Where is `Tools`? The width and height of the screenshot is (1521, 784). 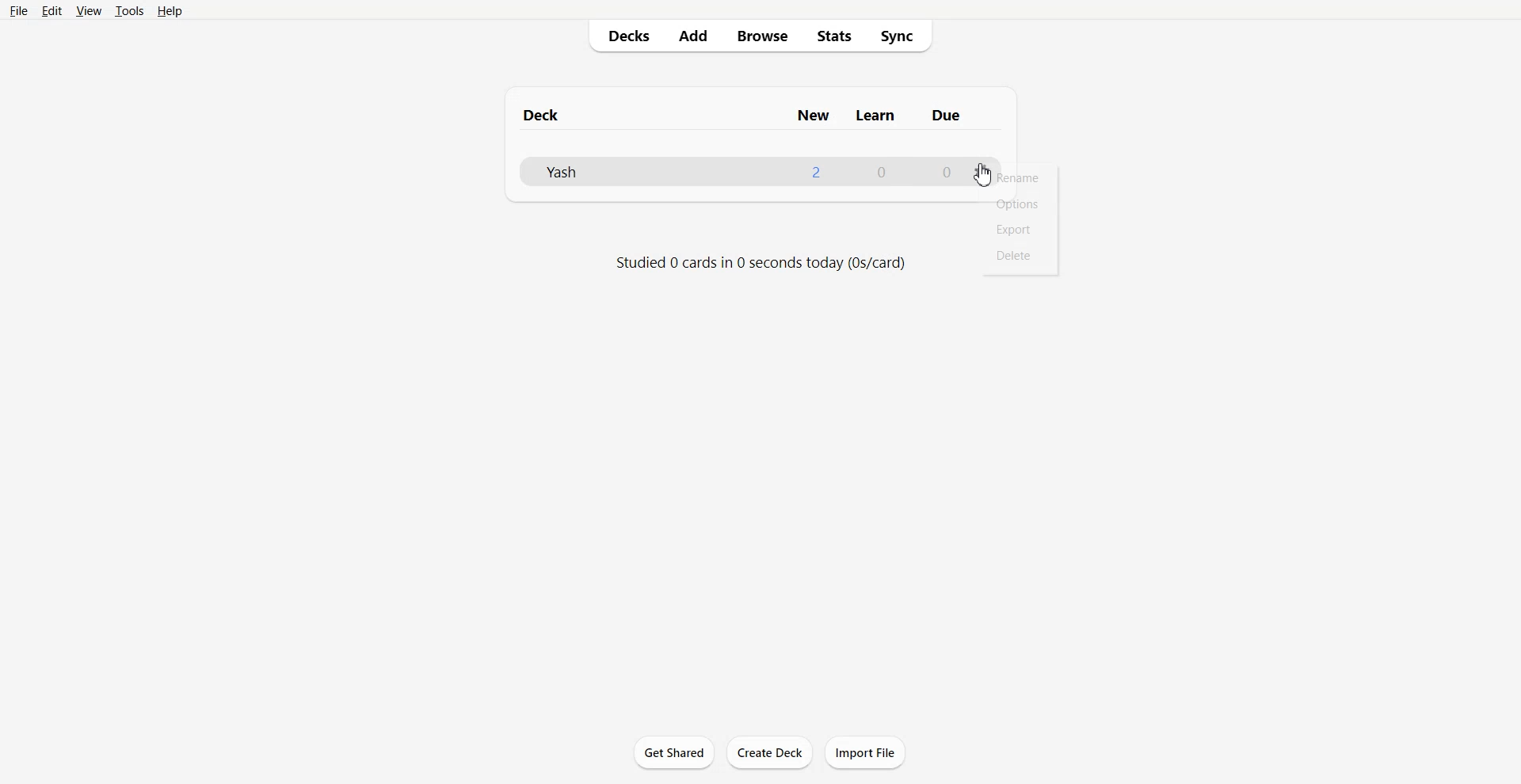
Tools is located at coordinates (130, 12).